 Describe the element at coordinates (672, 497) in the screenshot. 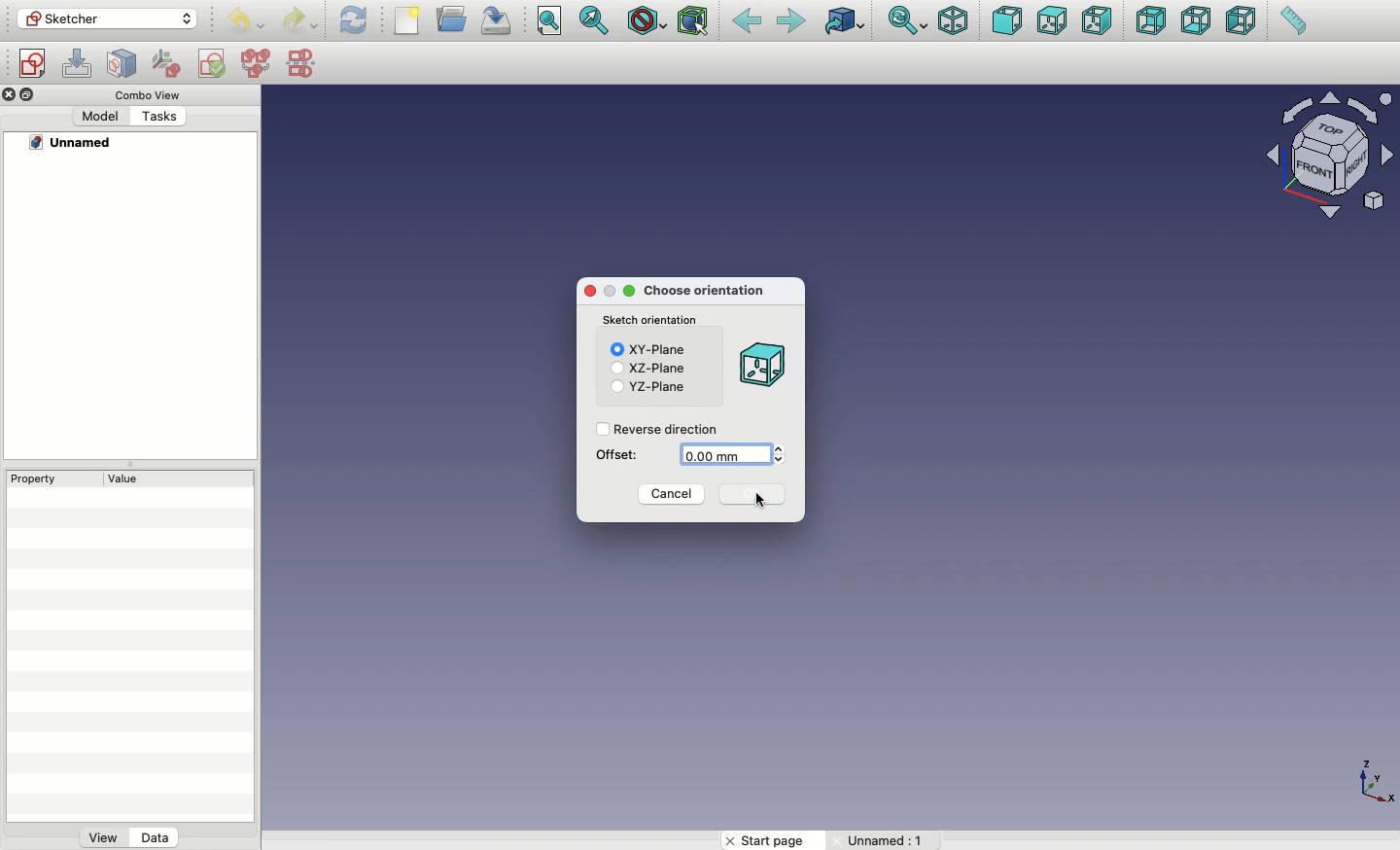

I see `Cancel` at that location.